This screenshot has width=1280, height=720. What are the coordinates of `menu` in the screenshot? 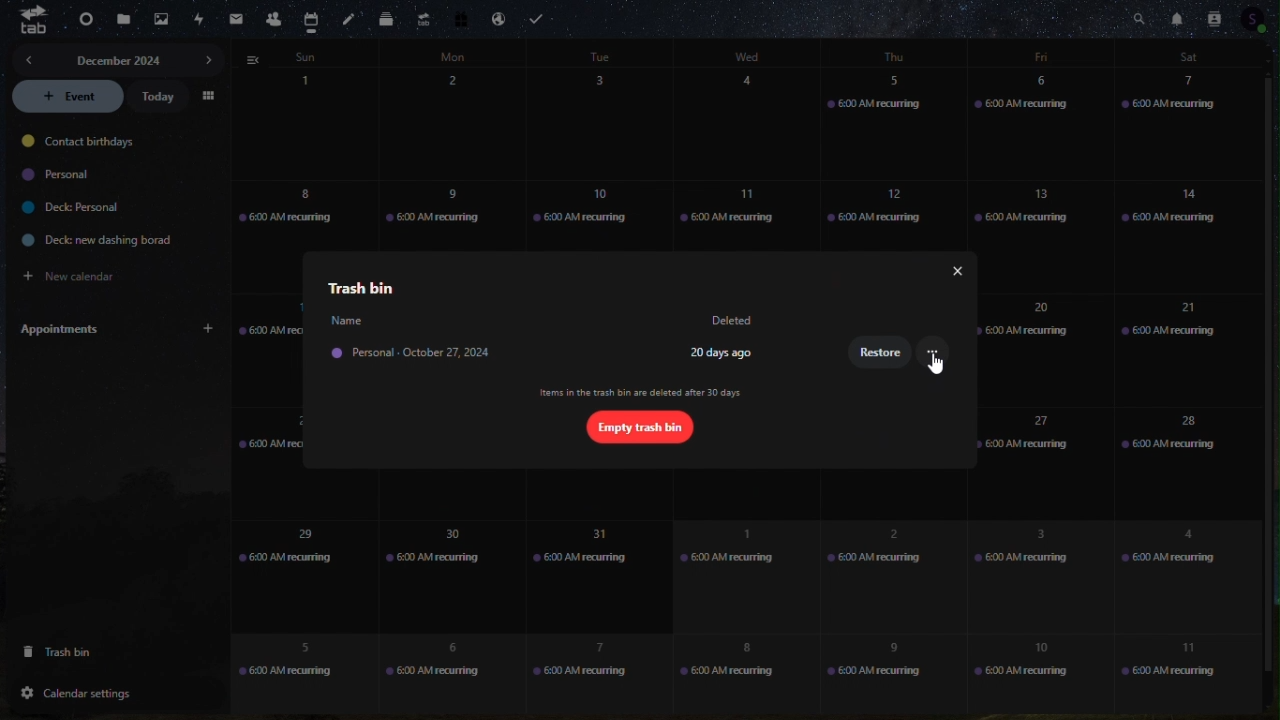 It's located at (210, 95).